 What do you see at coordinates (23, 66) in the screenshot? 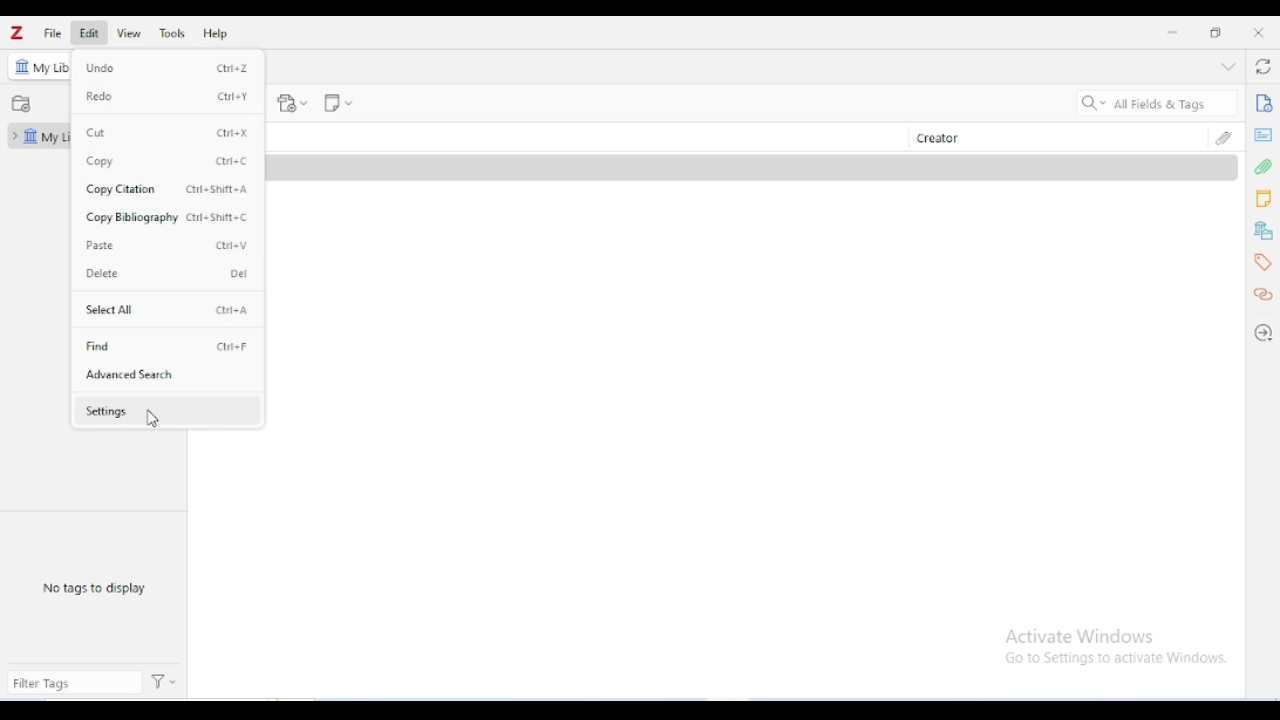
I see `icon` at bounding box center [23, 66].